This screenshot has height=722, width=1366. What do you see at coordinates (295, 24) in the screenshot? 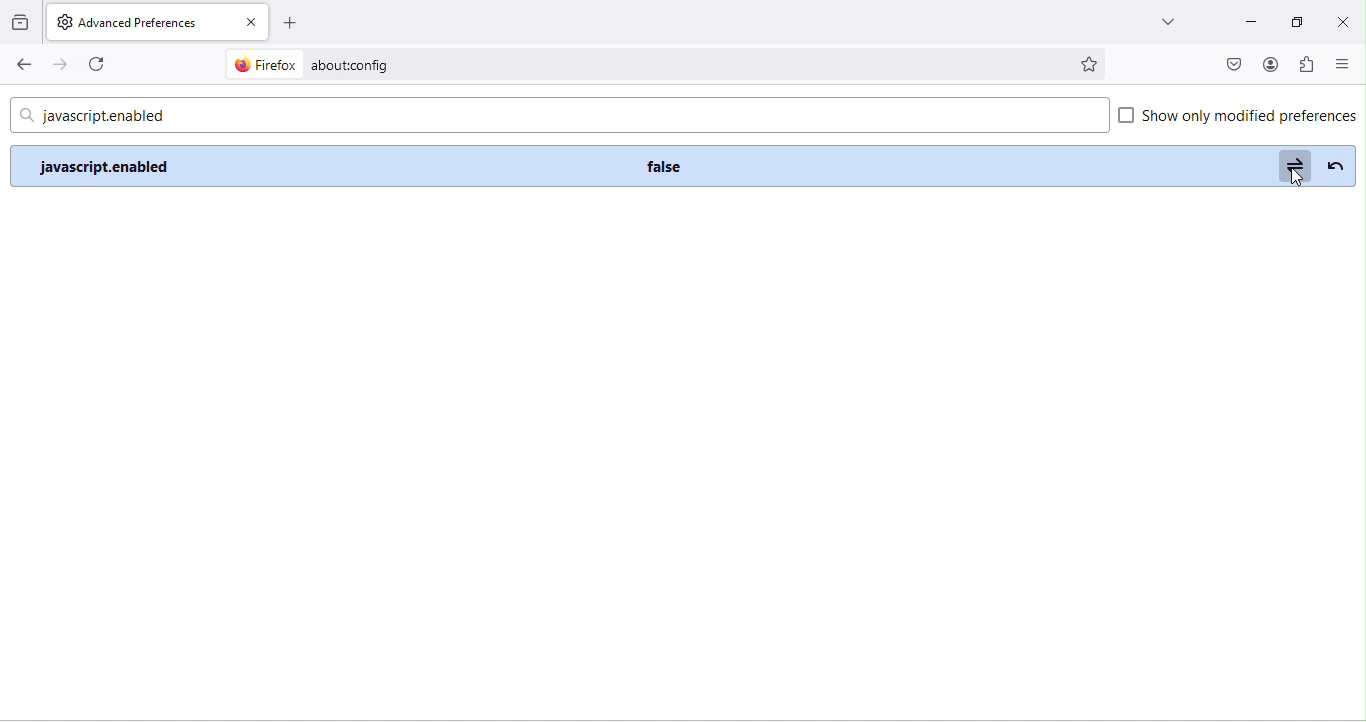
I see `add` at bounding box center [295, 24].